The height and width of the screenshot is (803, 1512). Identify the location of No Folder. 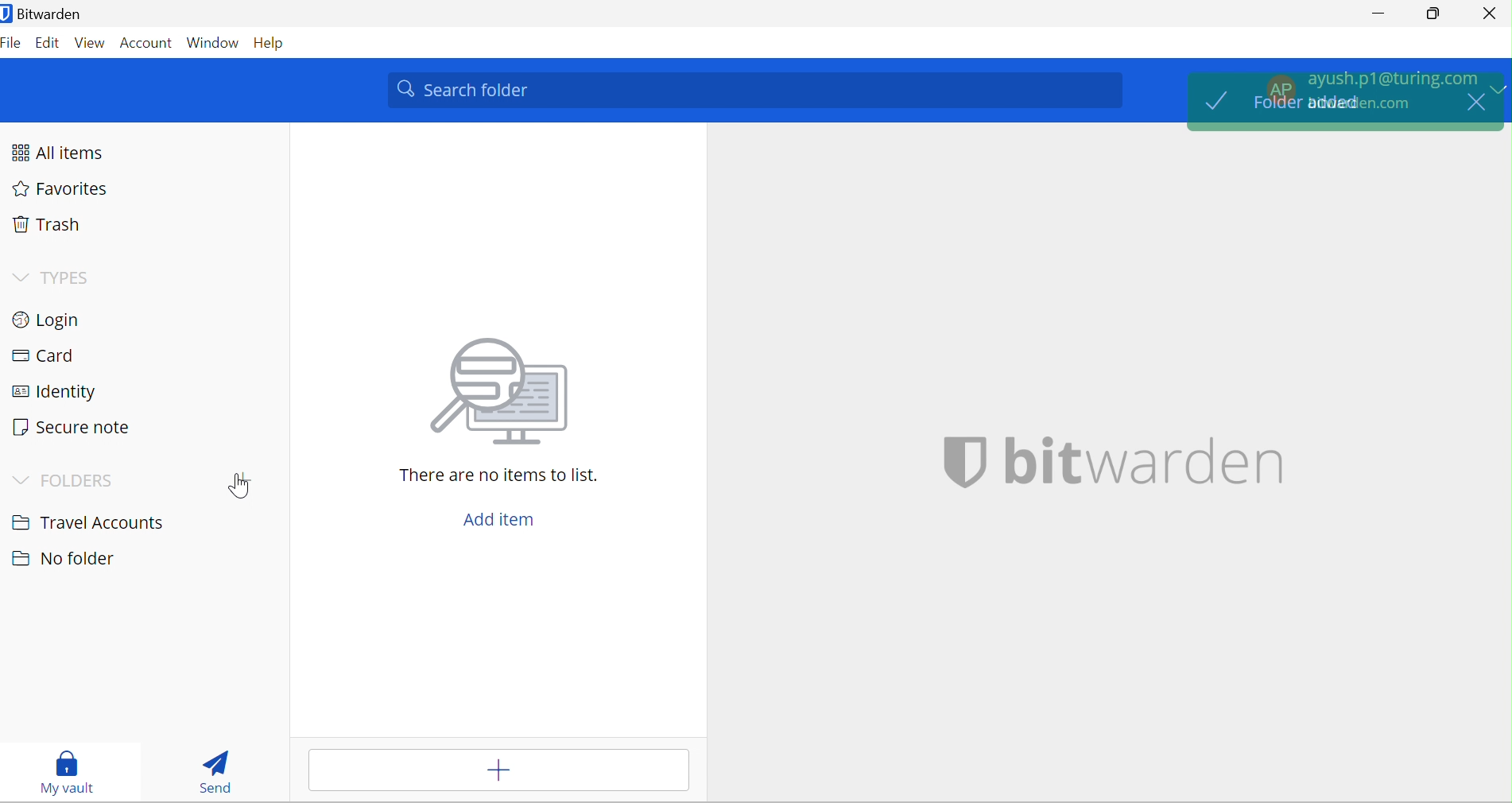
(61, 557).